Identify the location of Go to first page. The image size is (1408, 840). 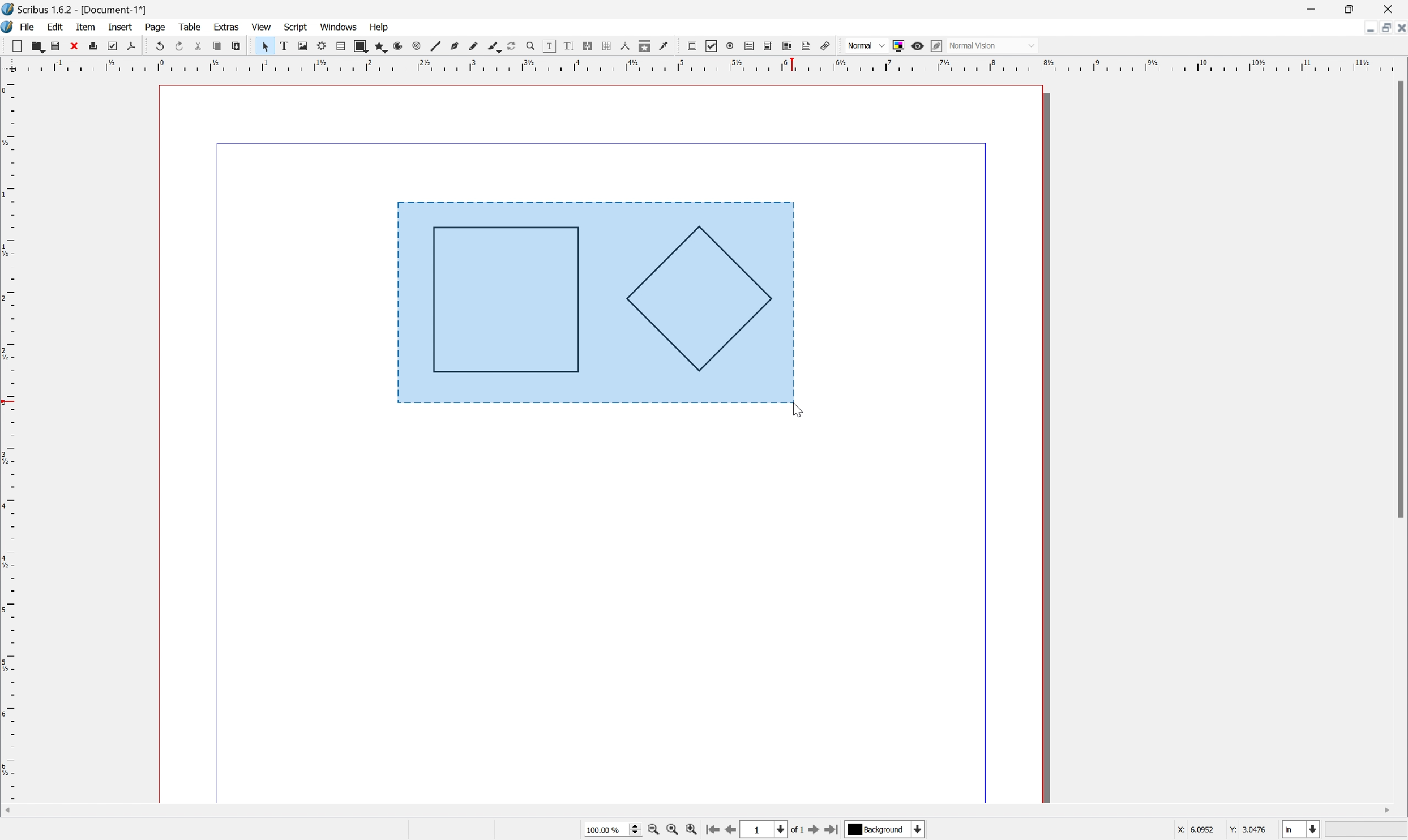
(708, 830).